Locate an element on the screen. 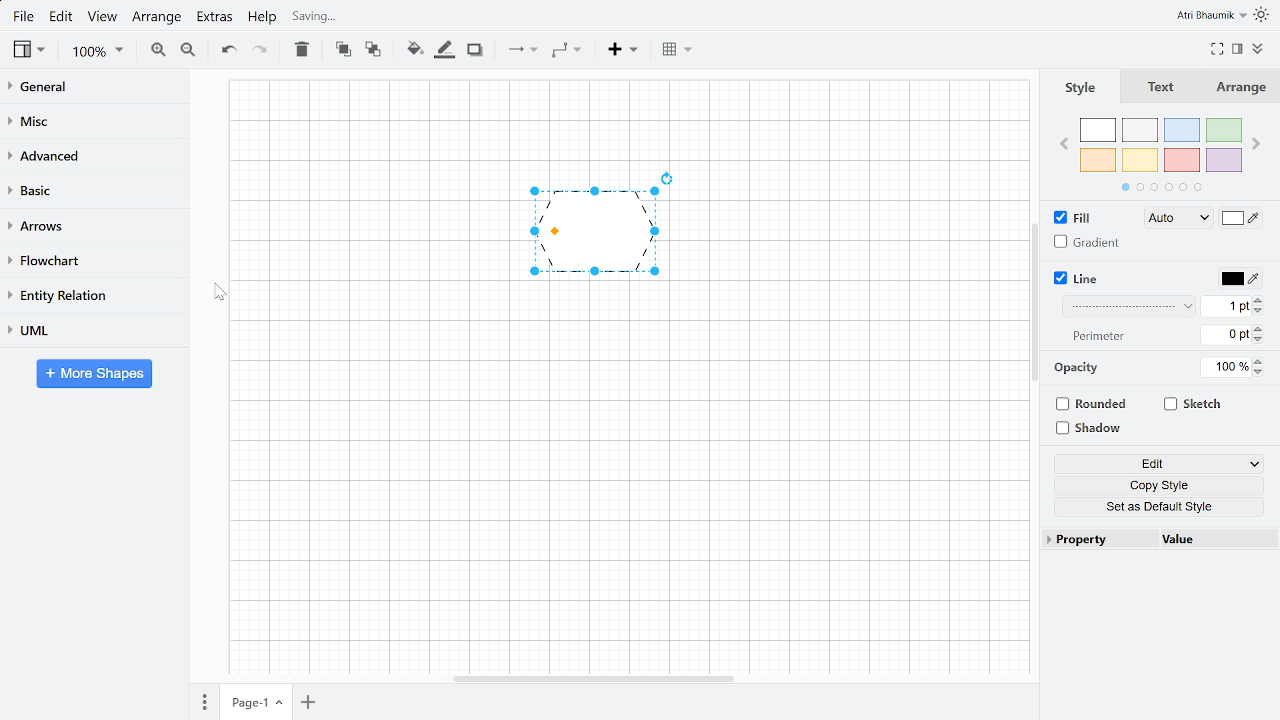 Image resolution: width=1280 pixels, height=720 pixels. Shadow is located at coordinates (478, 50).